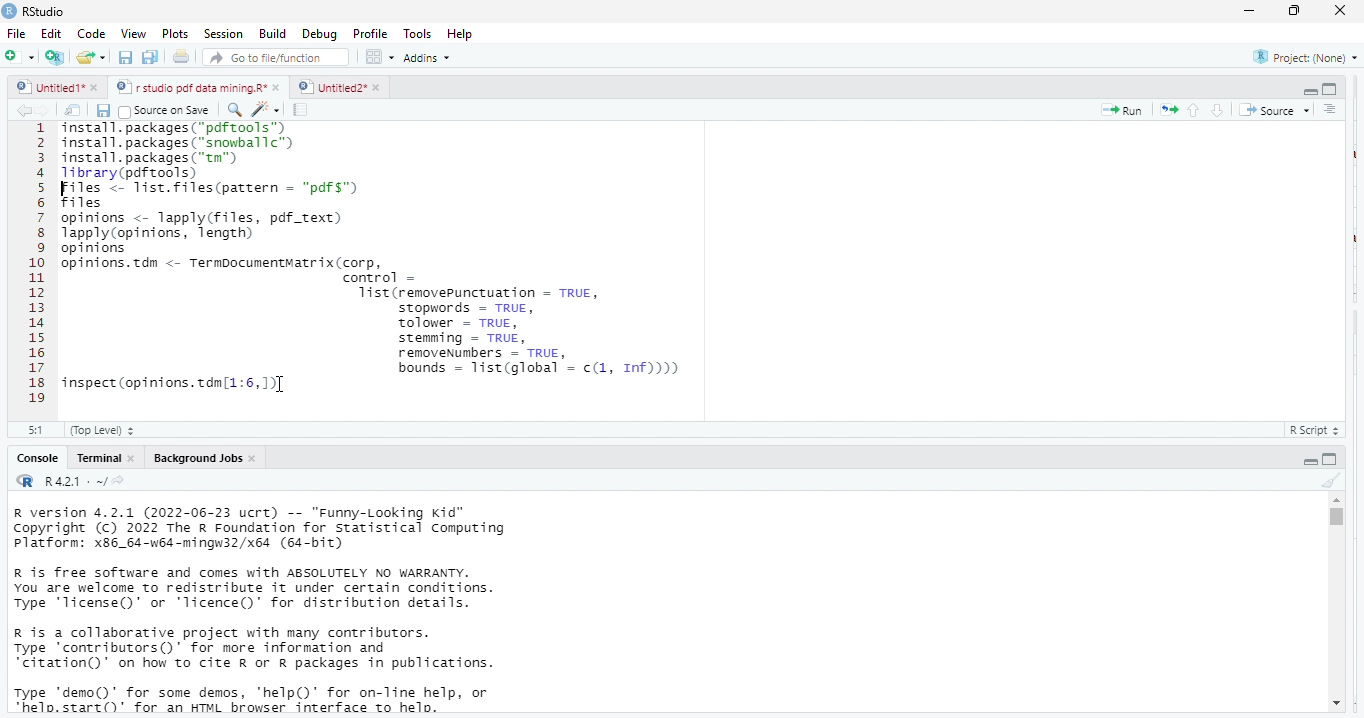 This screenshot has width=1364, height=718. I want to click on hide console, so click(1330, 89).